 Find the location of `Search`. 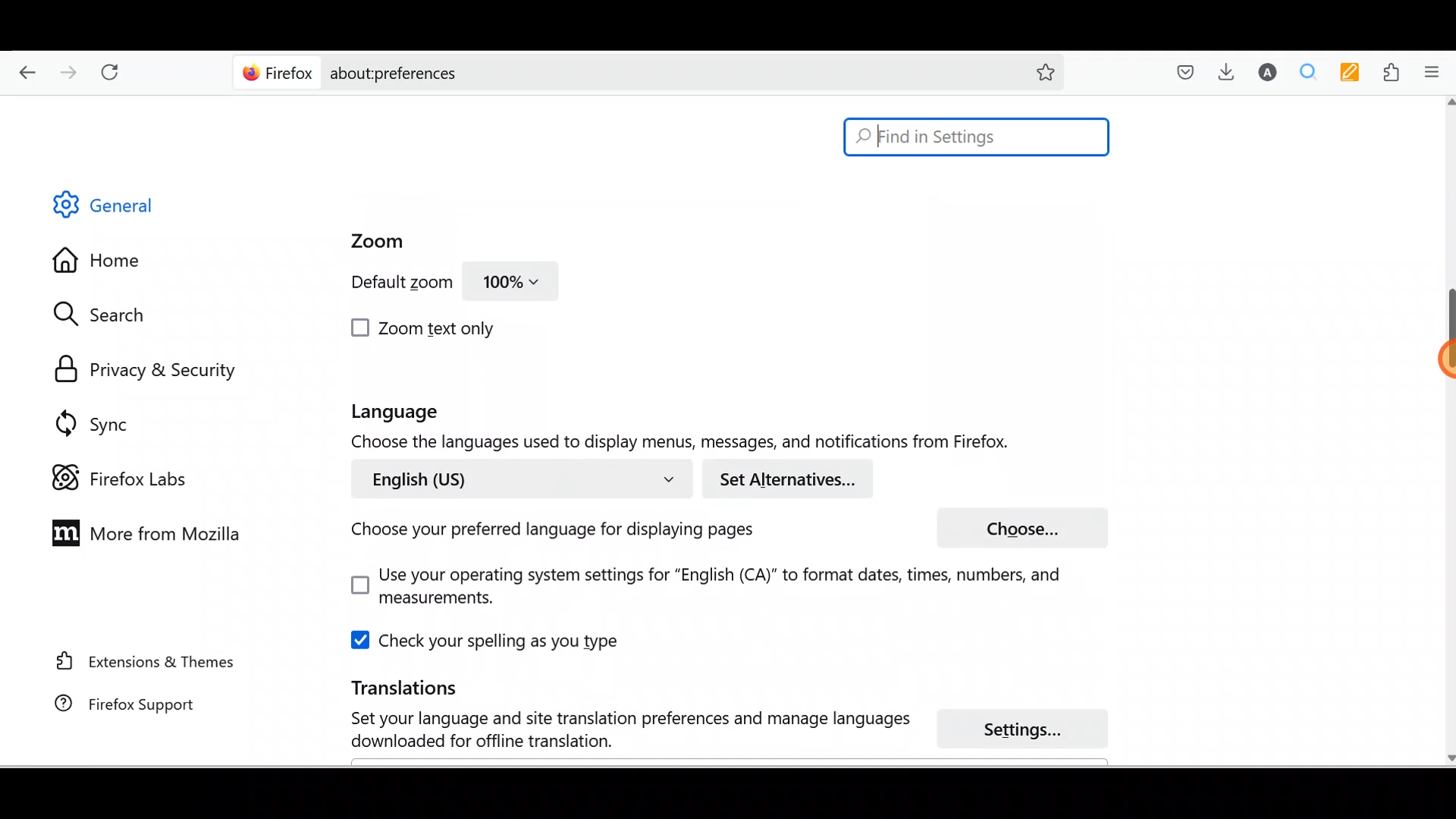

Search is located at coordinates (107, 314).